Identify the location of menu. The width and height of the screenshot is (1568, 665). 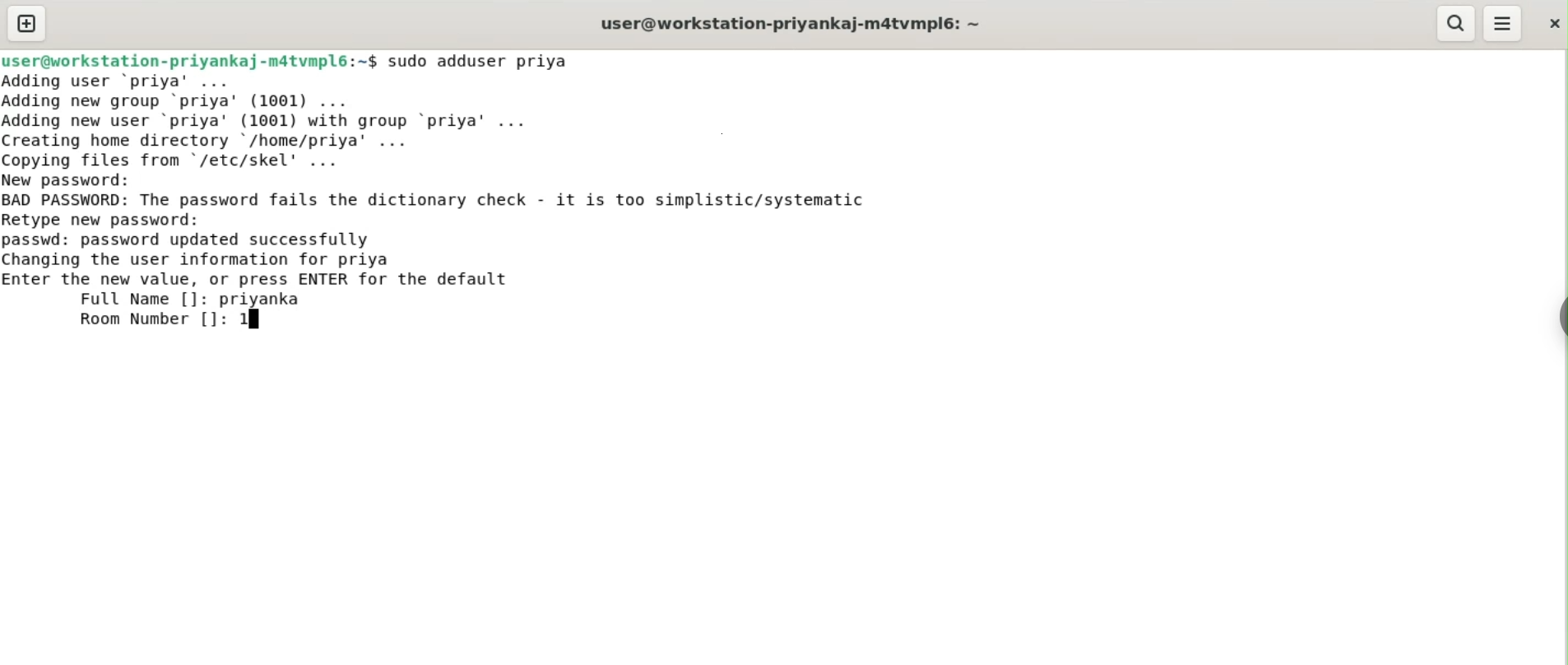
(1504, 24).